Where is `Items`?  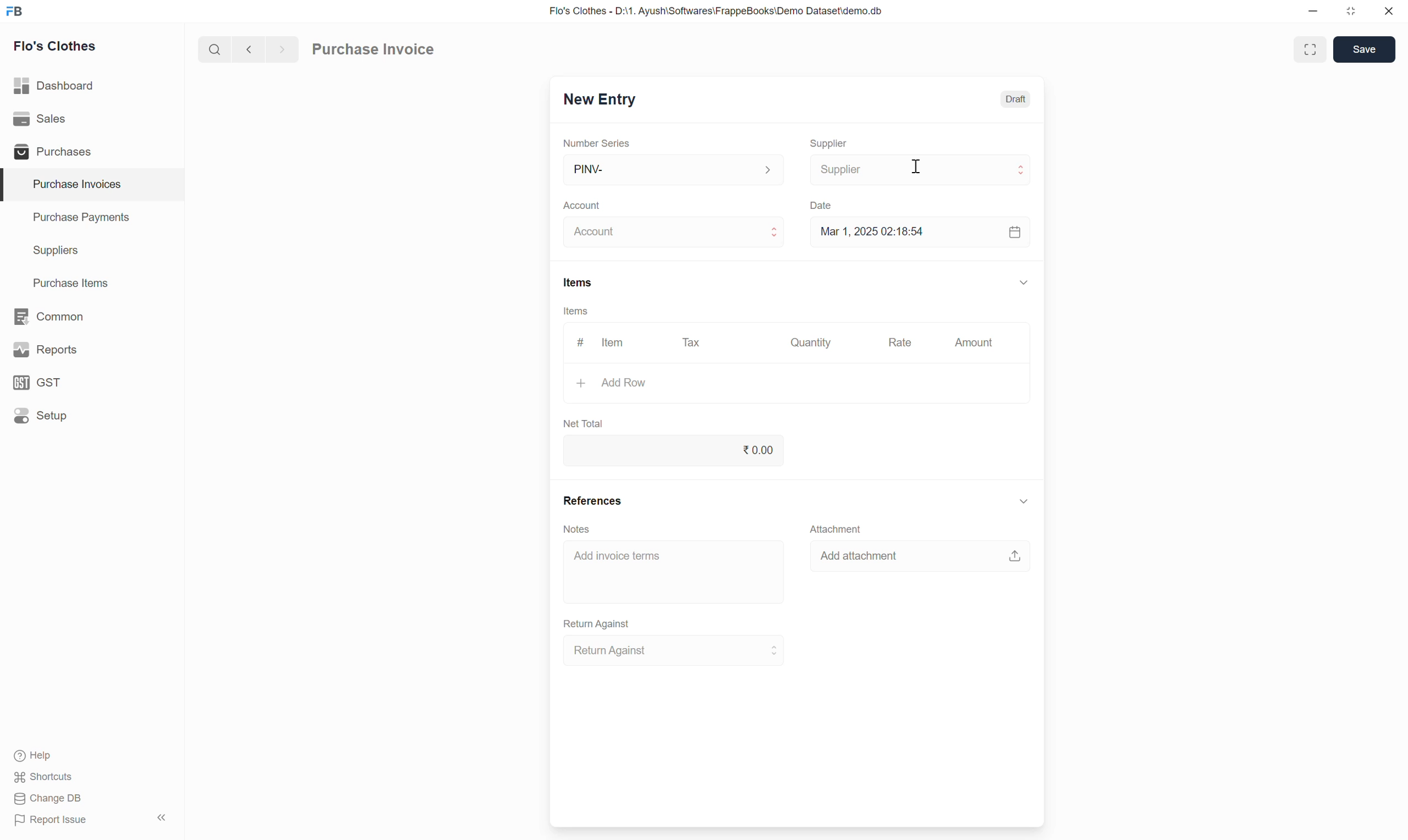
Items is located at coordinates (579, 282).